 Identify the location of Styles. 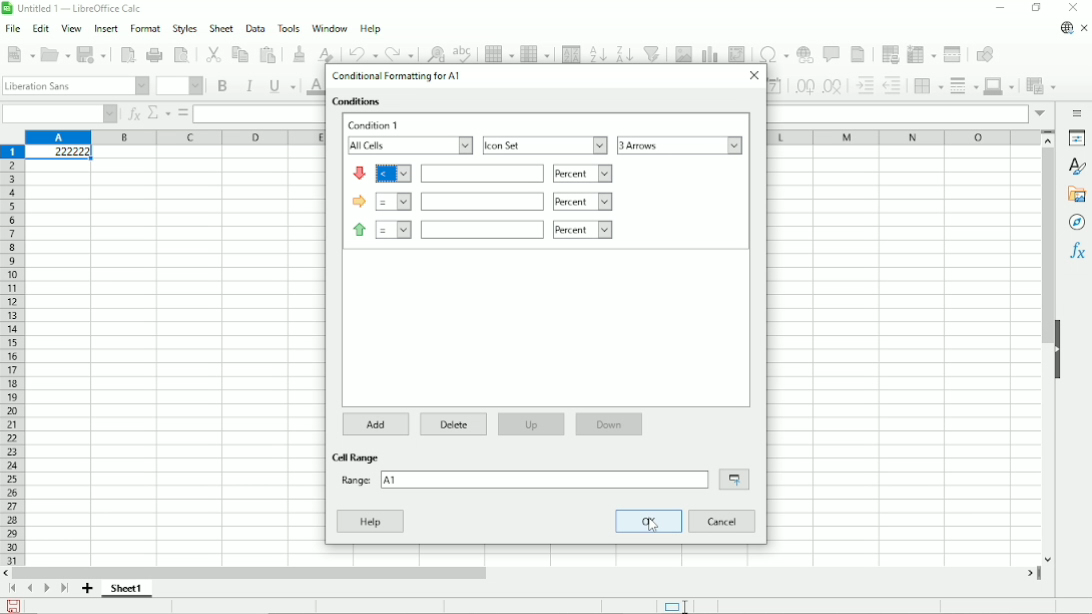
(1079, 167).